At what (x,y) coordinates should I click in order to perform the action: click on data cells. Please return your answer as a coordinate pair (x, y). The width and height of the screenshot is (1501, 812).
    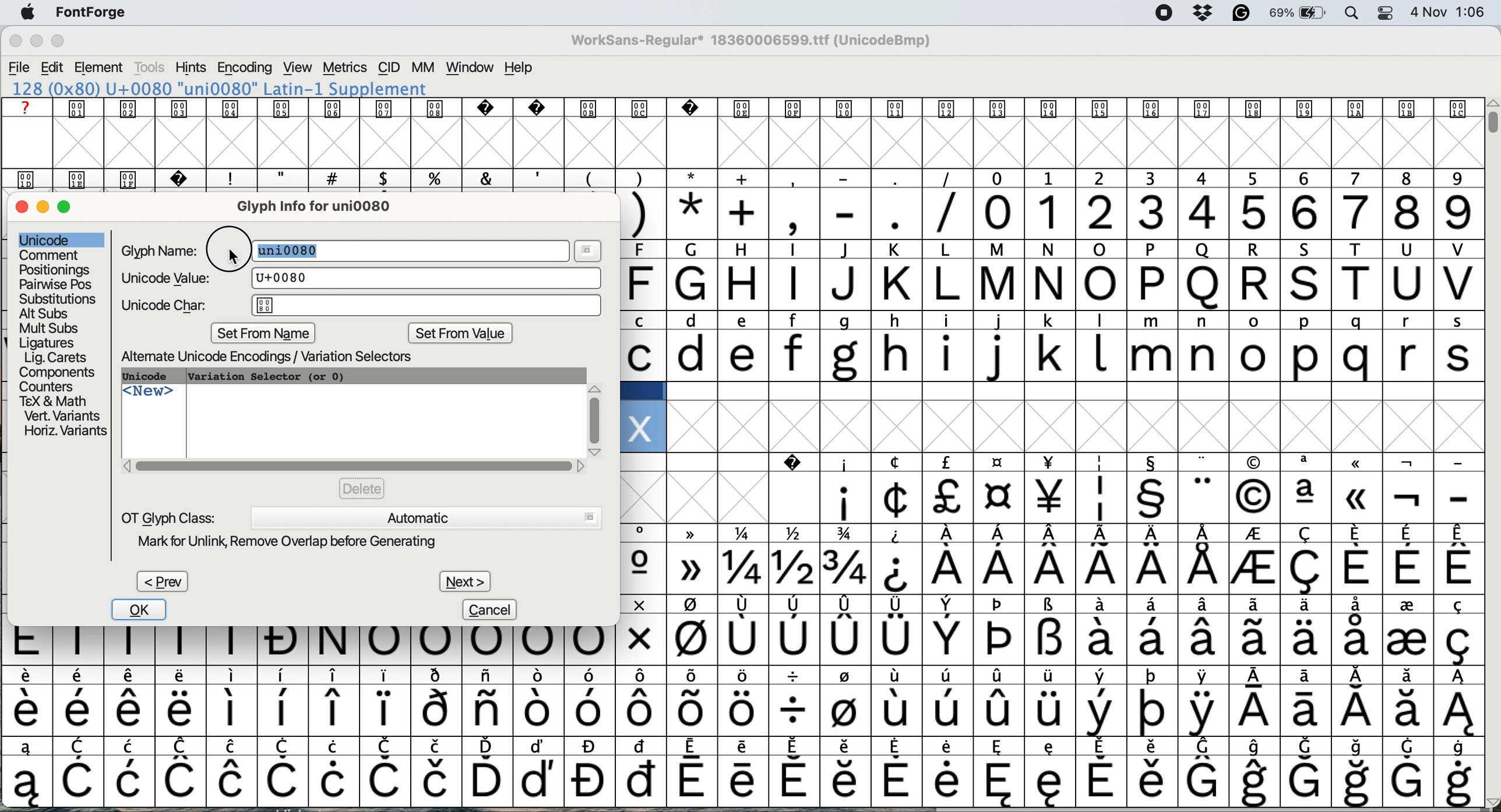
    Looking at the image, I should click on (1054, 391).